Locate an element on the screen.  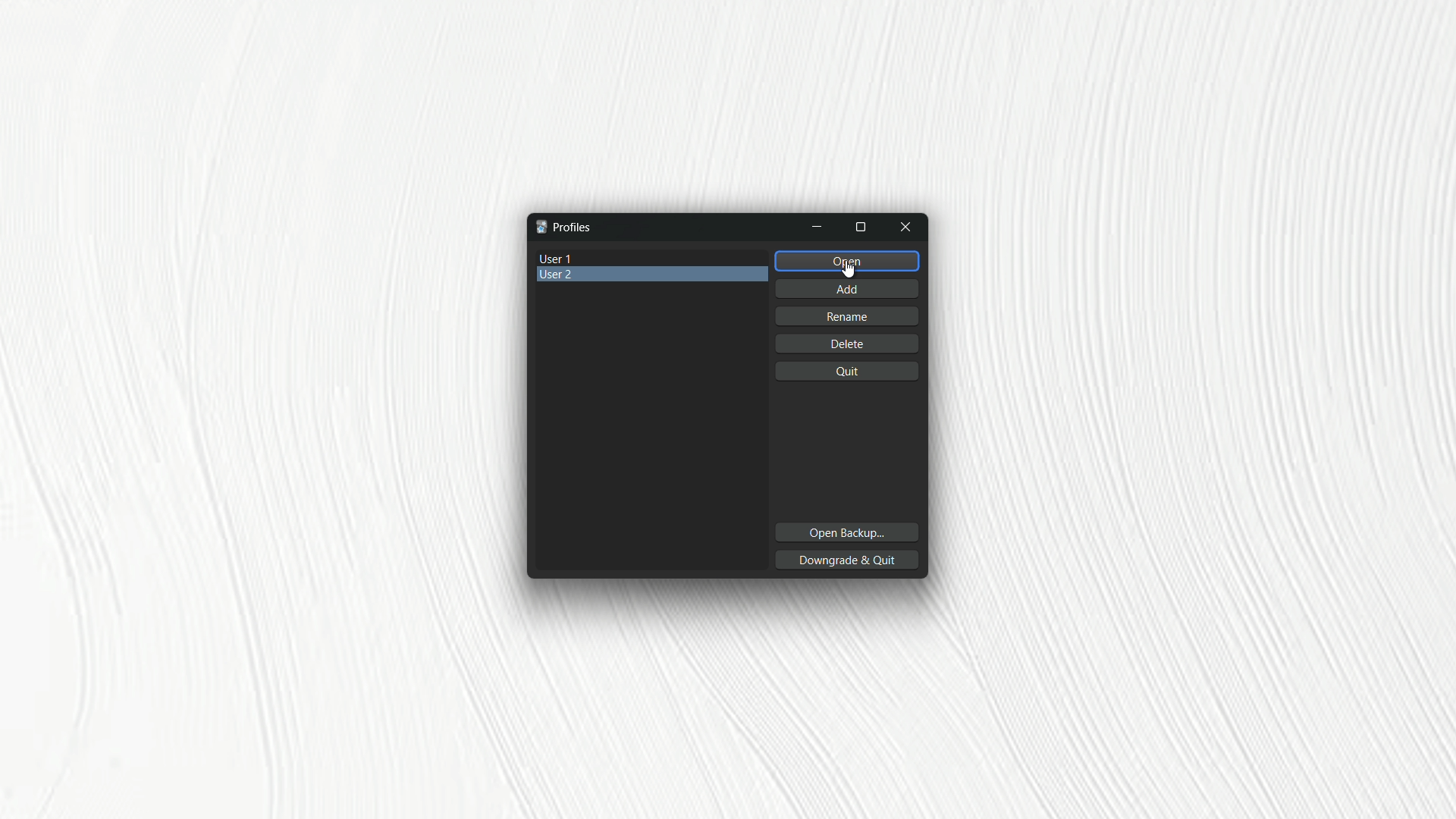
Rename is located at coordinates (852, 315).